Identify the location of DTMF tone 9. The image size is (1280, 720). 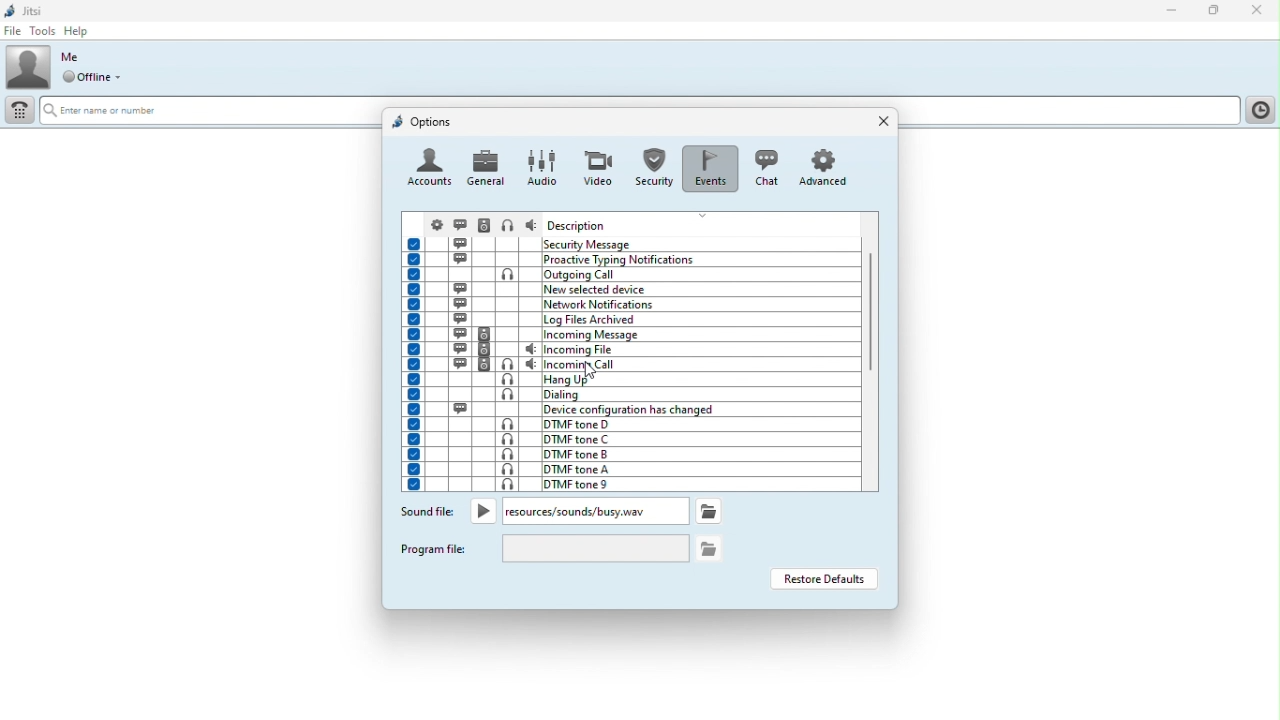
(626, 484).